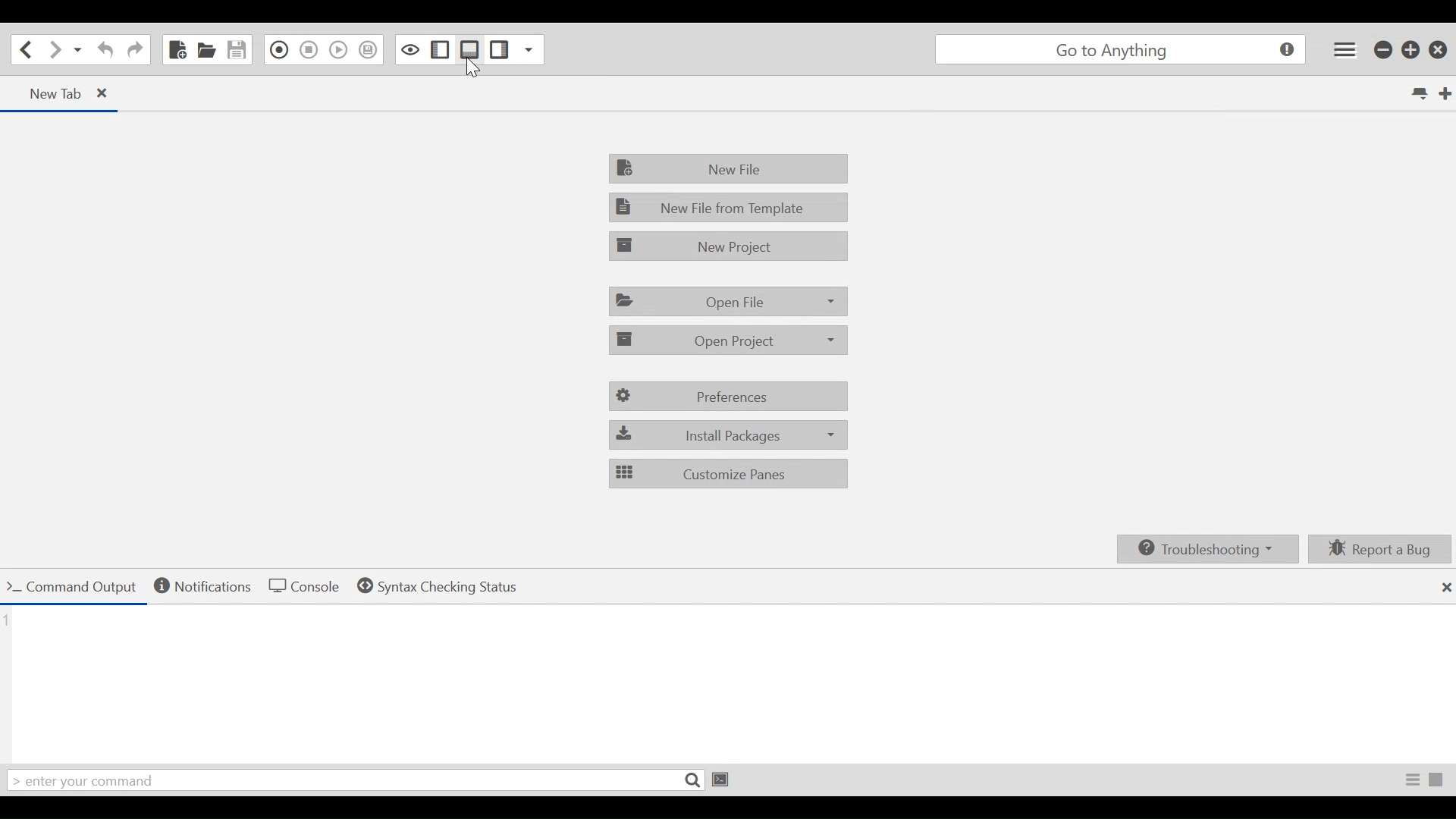 The width and height of the screenshot is (1456, 819). Describe the element at coordinates (206, 49) in the screenshot. I see `Open File` at that location.